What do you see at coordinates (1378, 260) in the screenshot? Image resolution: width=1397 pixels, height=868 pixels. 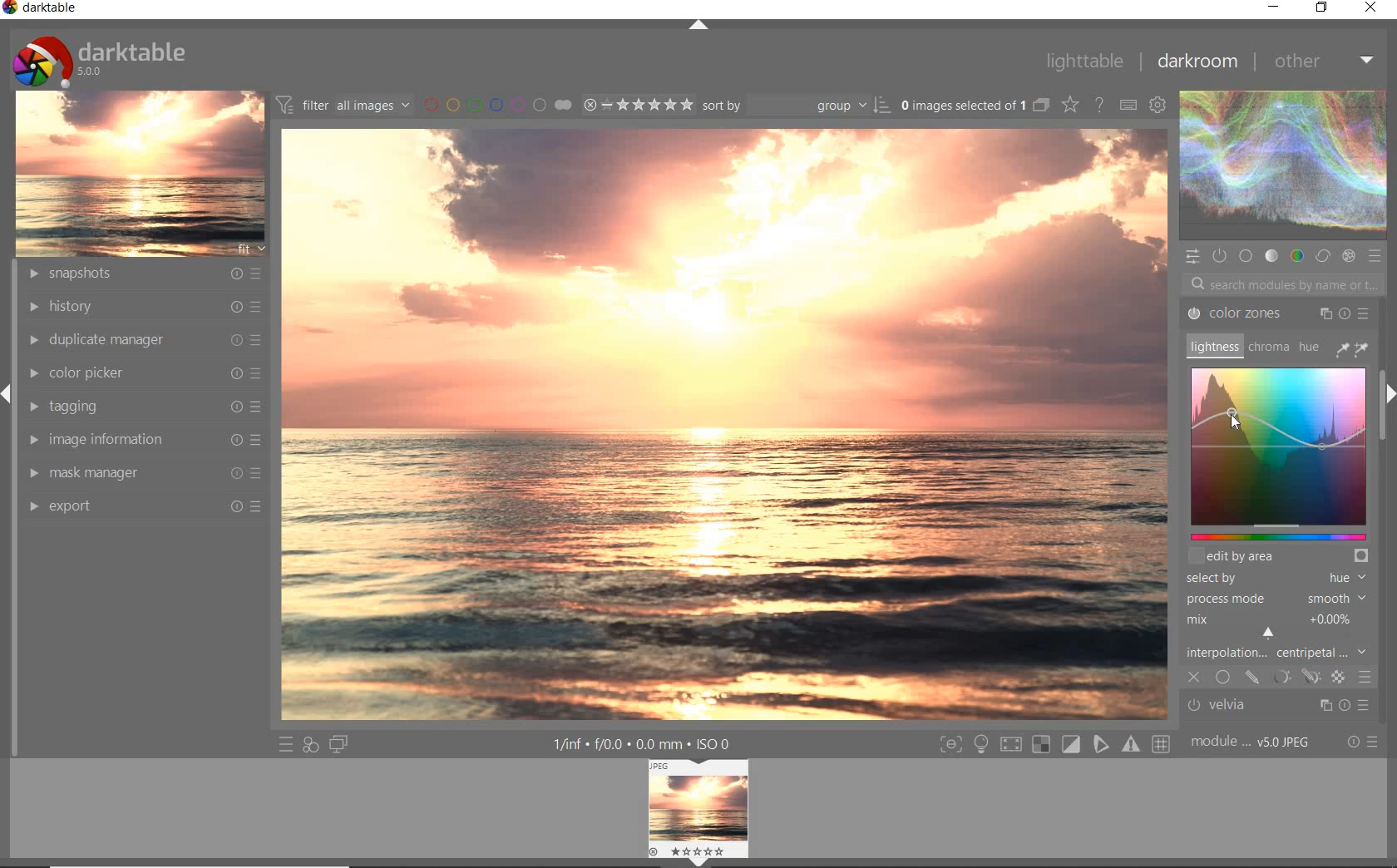 I see `PRESET` at bounding box center [1378, 260].